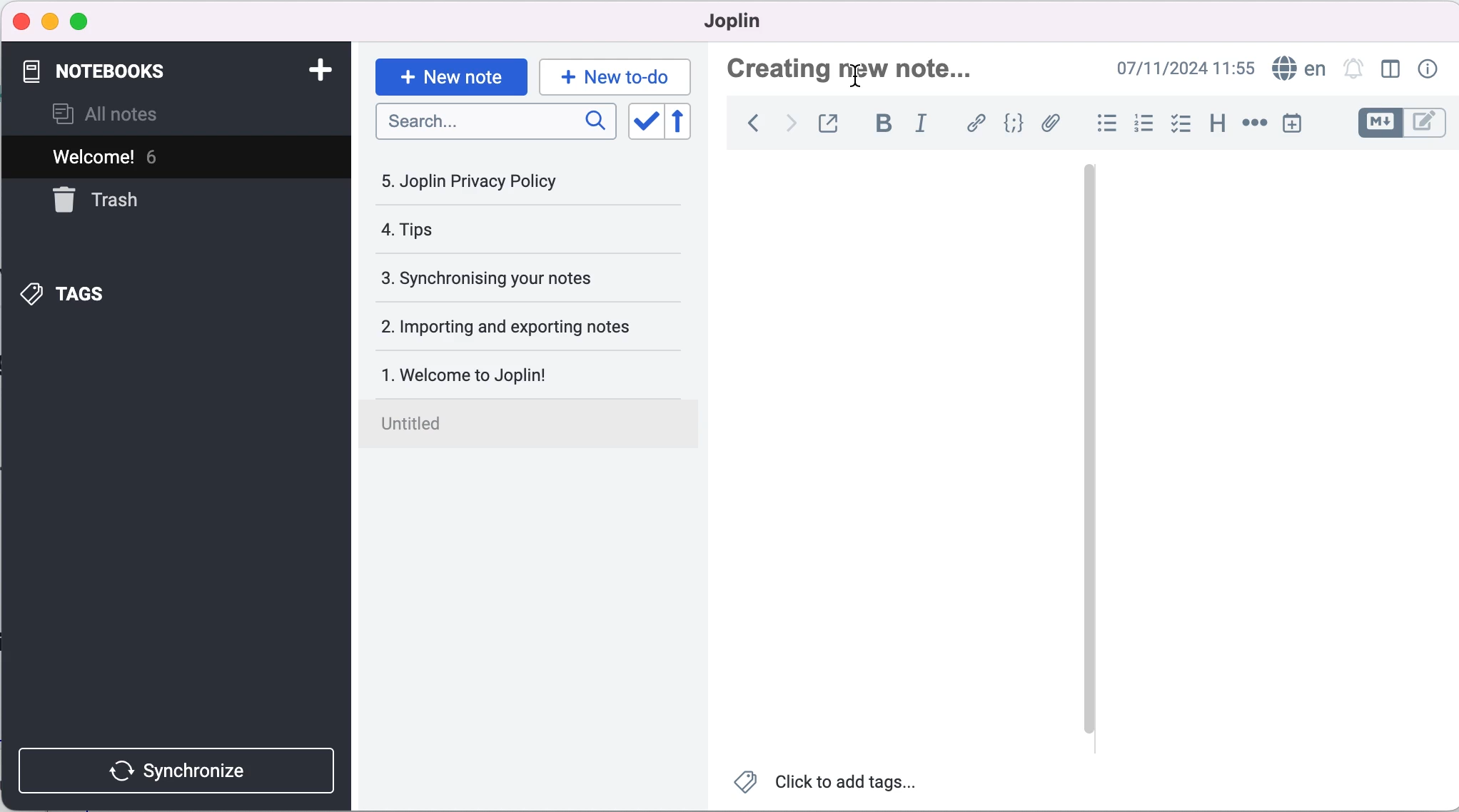  Describe the element at coordinates (1298, 67) in the screenshot. I see `language` at that location.